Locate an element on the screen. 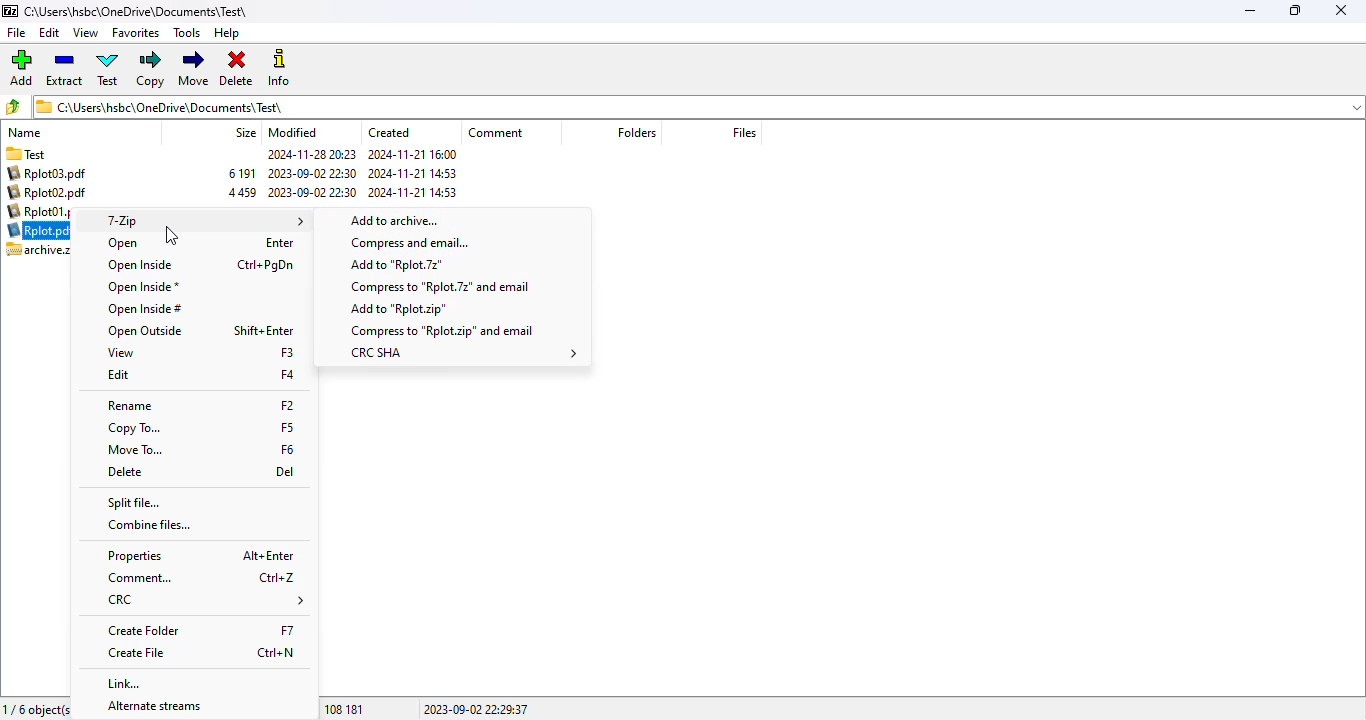 The height and width of the screenshot is (720, 1366). CRC SHA is located at coordinates (464, 353).